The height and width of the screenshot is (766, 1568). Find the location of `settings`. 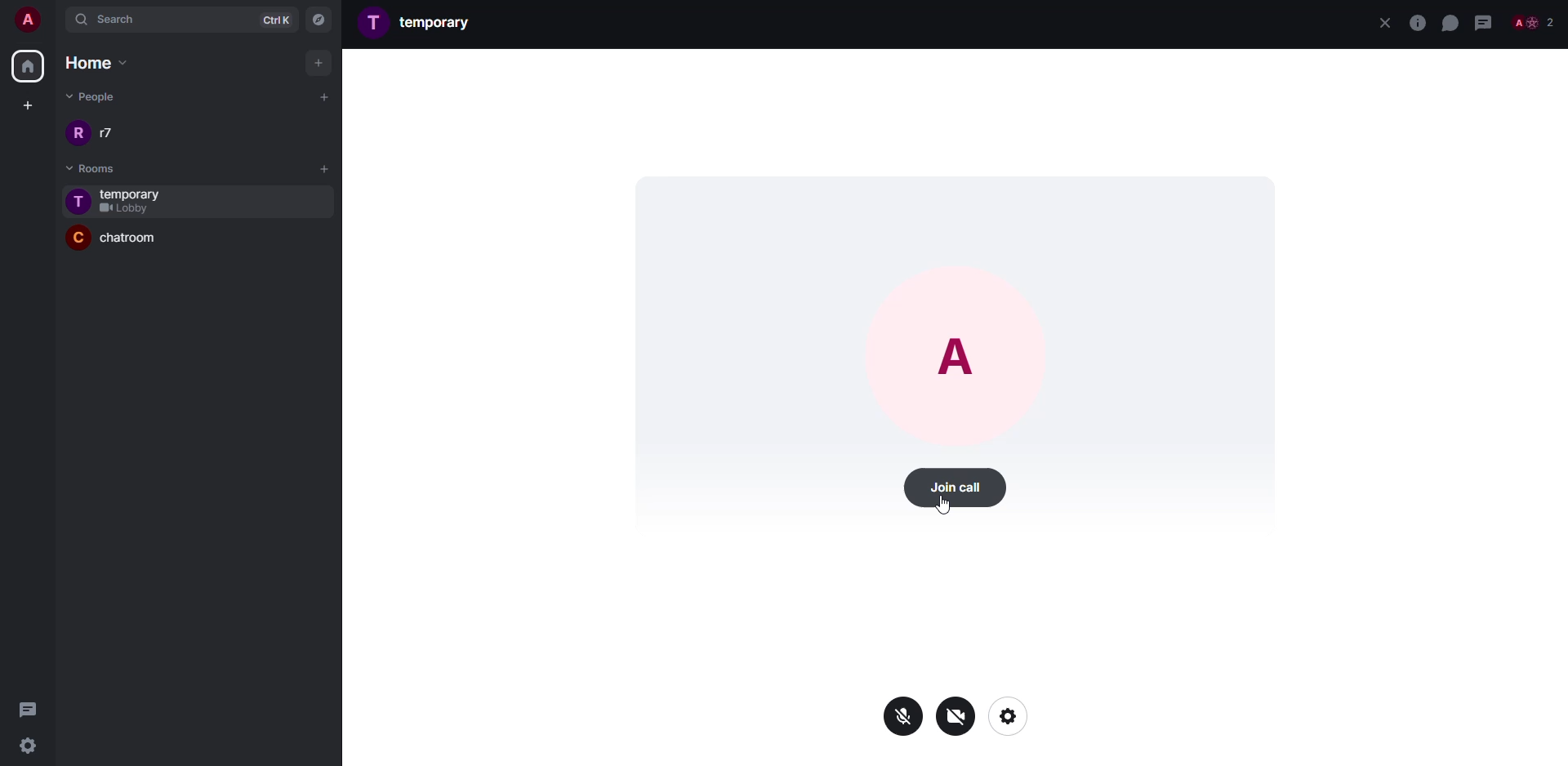

settings is located at coordinates (1009, 716).